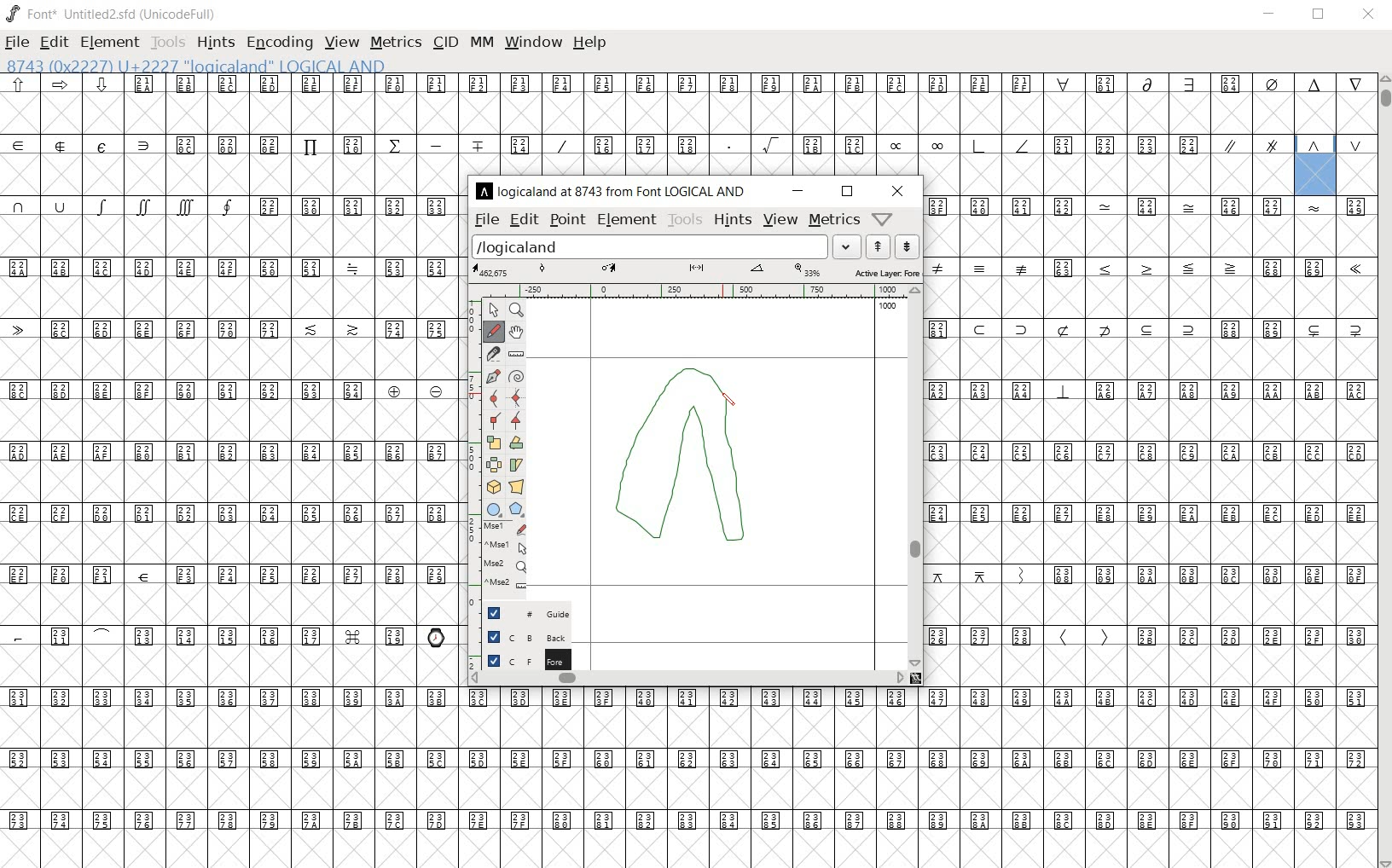  What do you see at coordinates (109, 43) in the screenshot?
I see `element` at bounding box center [109, 43].